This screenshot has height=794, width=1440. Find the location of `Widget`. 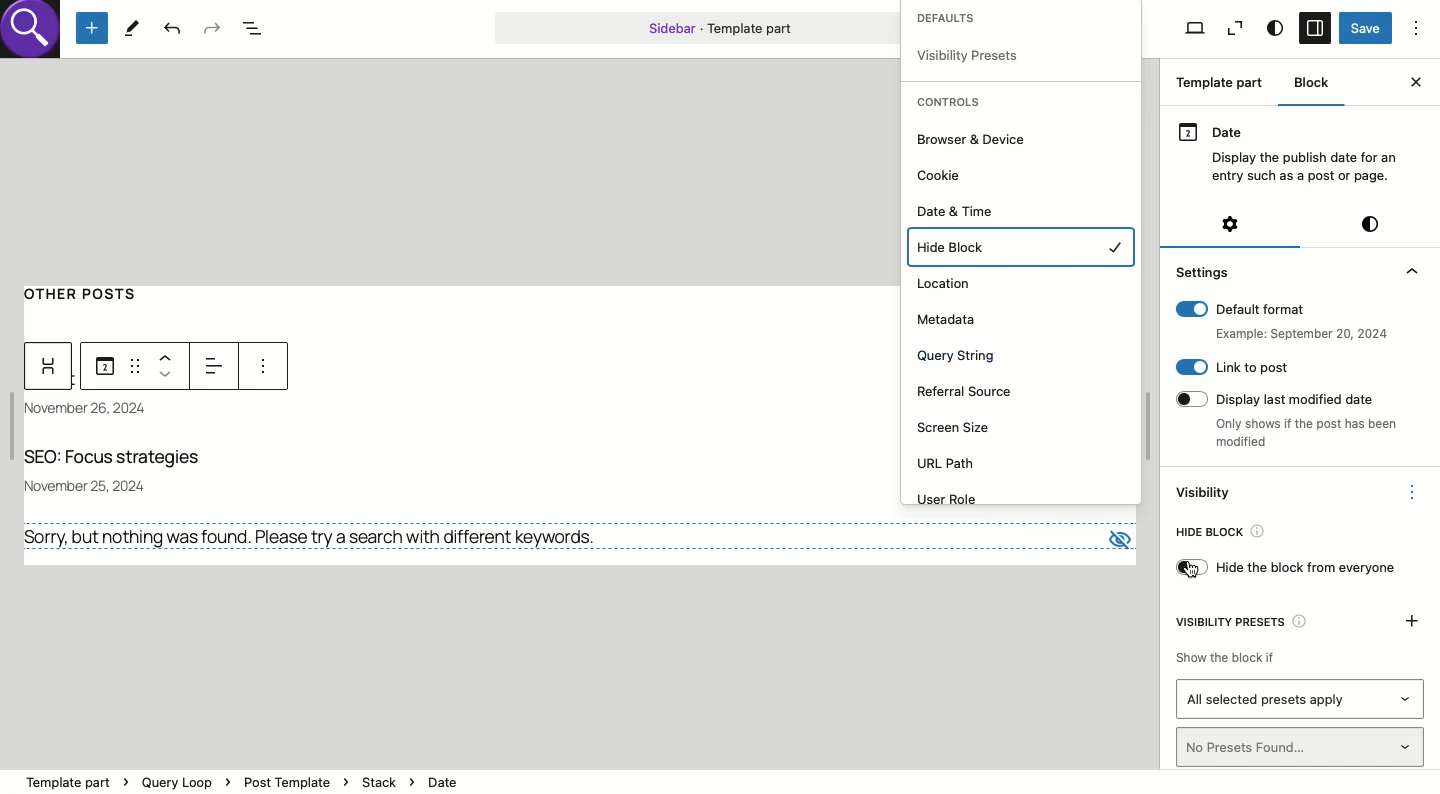

Widget is located at coordinates (50, 367).